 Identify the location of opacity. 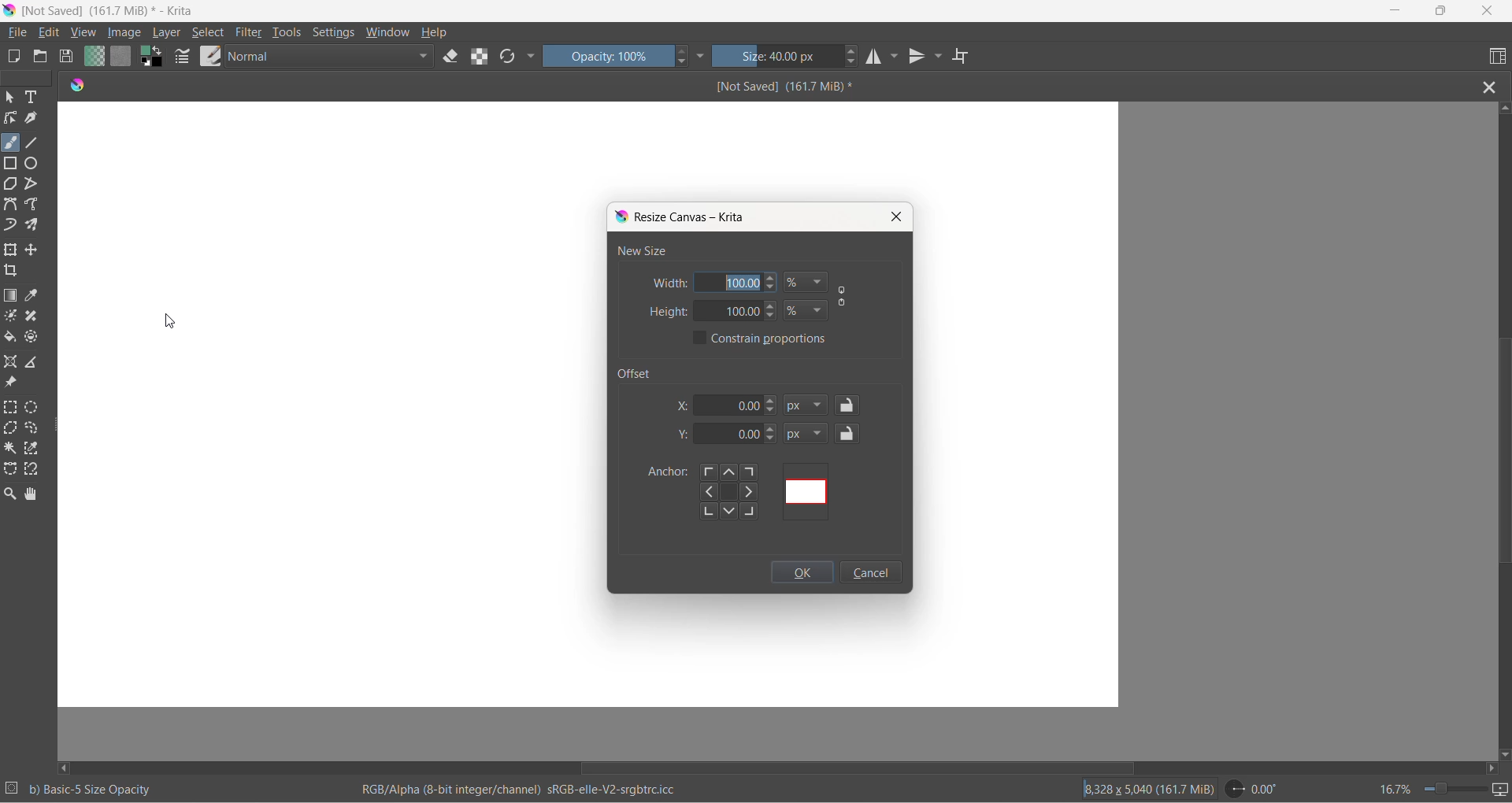
(609, 56).